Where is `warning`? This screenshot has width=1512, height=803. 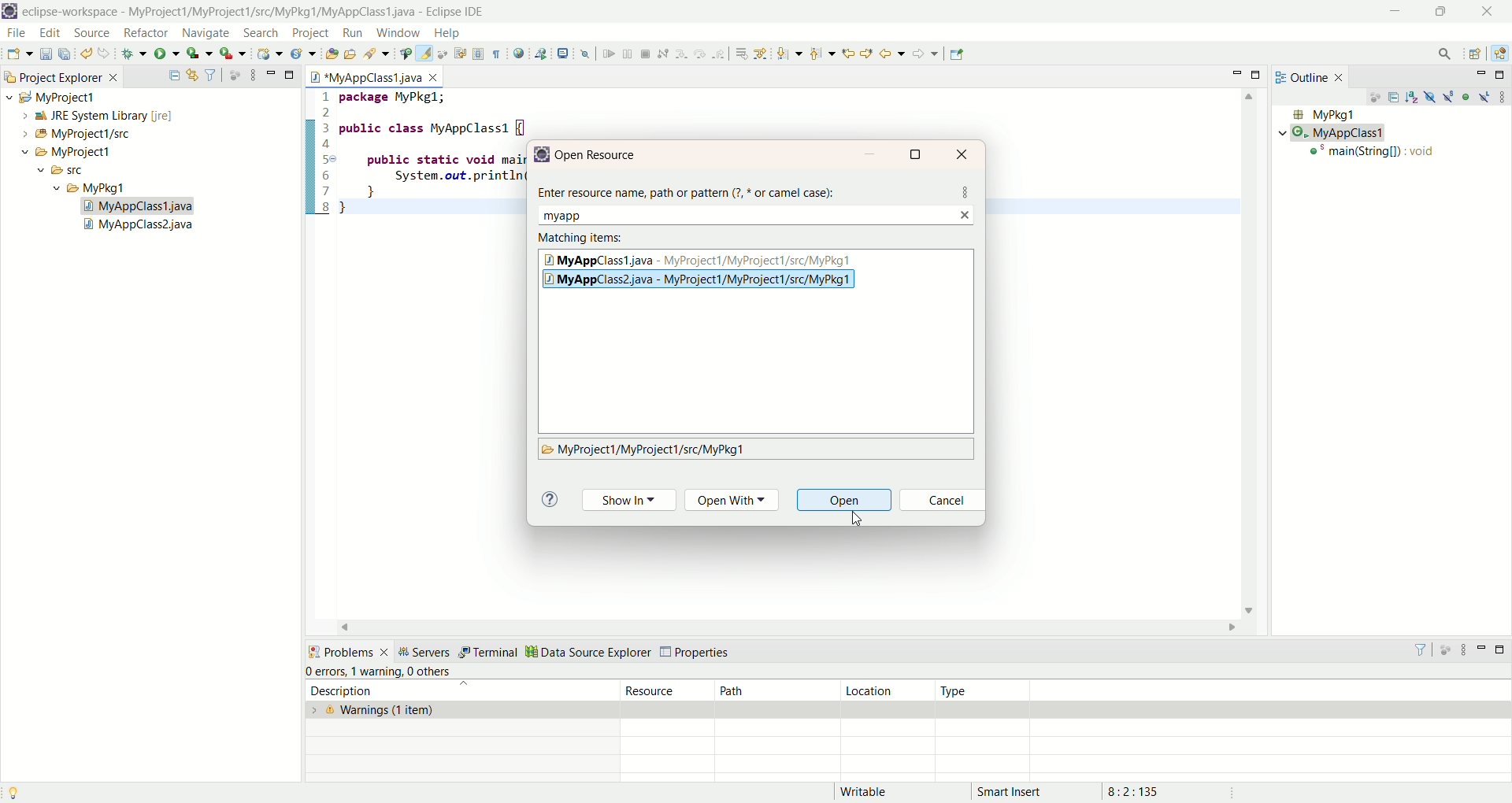
warning is located at coordinates (376, 670).